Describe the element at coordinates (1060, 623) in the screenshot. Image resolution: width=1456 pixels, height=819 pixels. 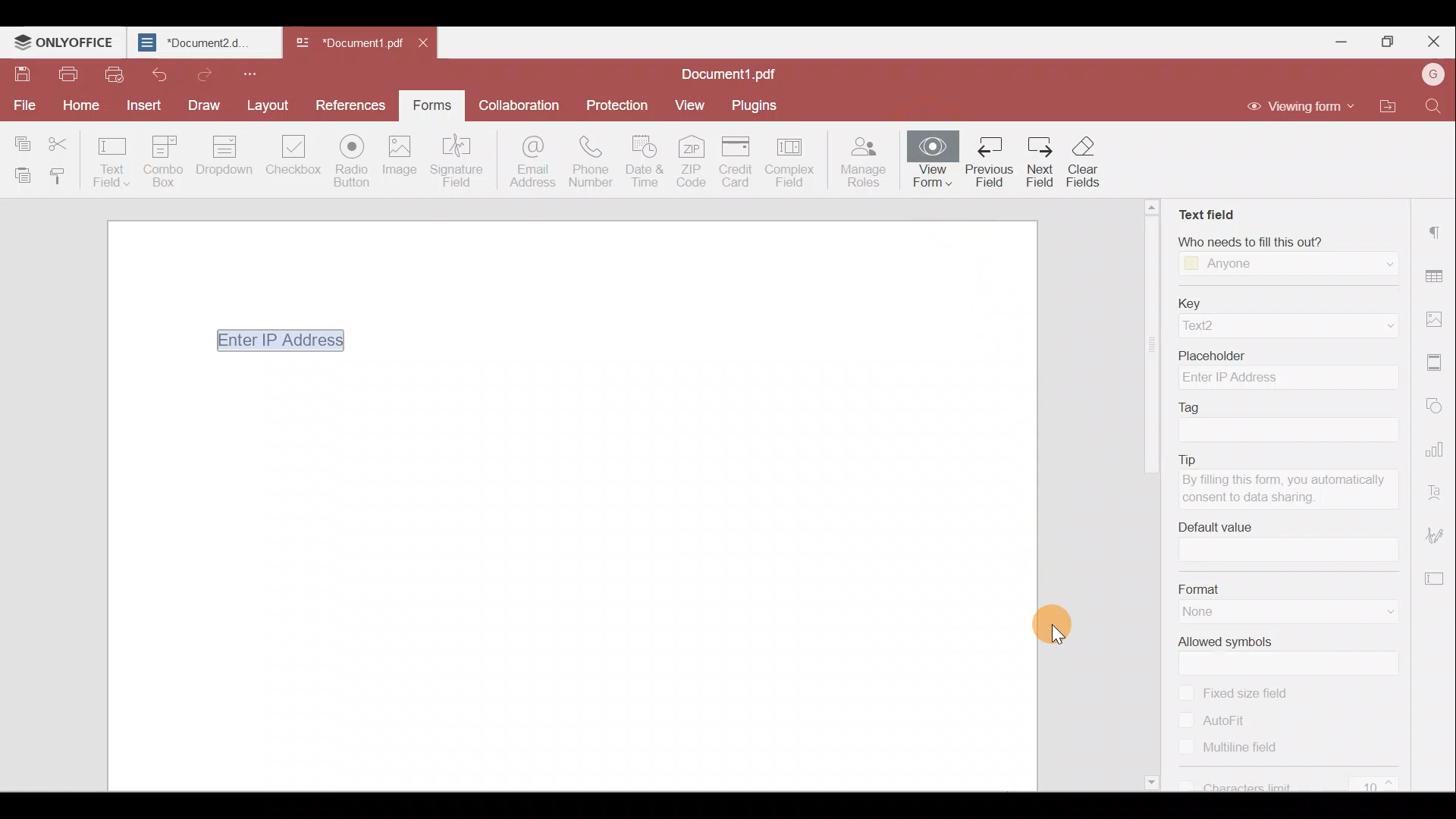
I see `cursor` at that location.